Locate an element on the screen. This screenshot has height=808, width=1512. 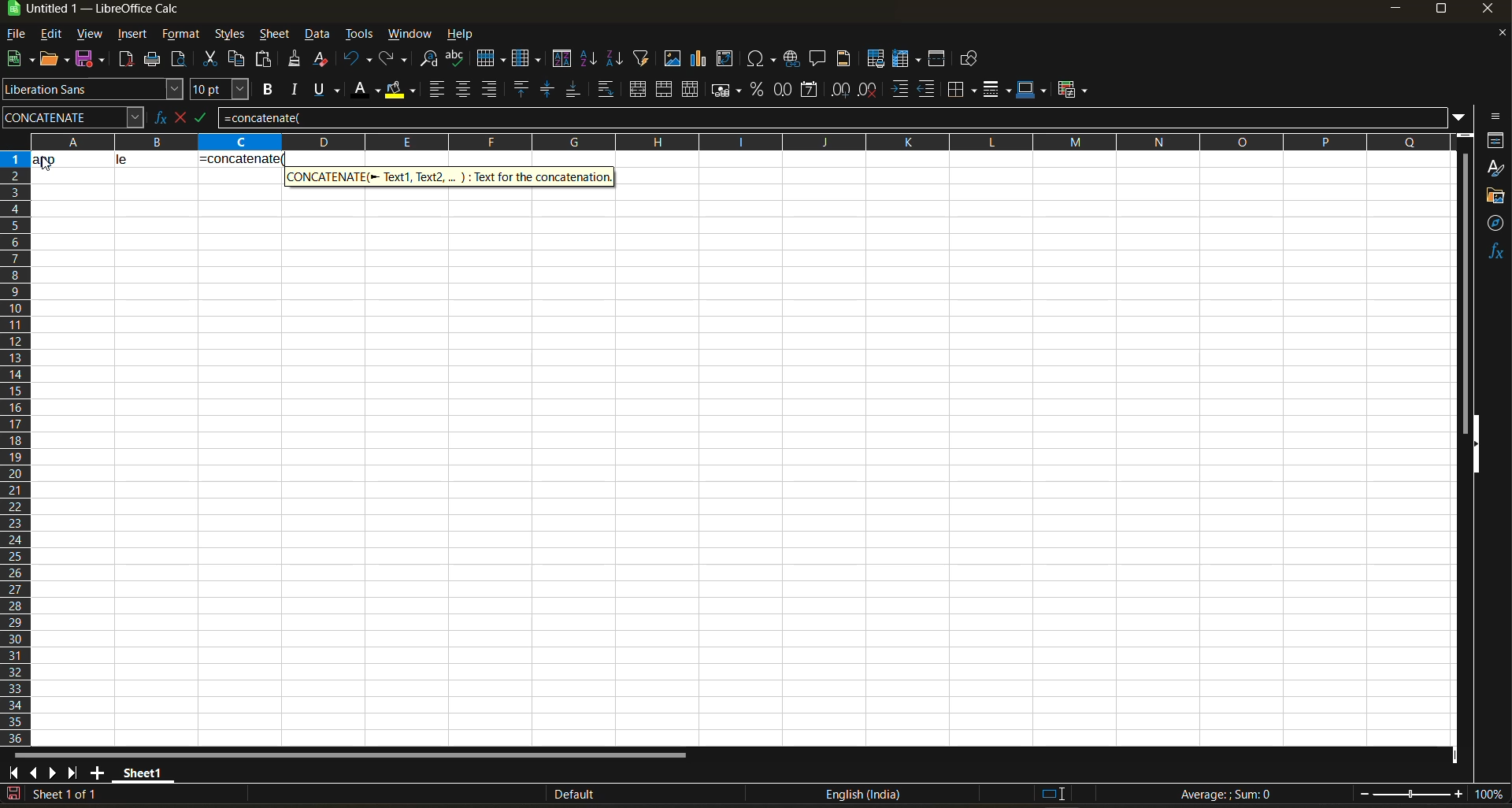
scroll to first sheet is located at coordinates (14, 770).